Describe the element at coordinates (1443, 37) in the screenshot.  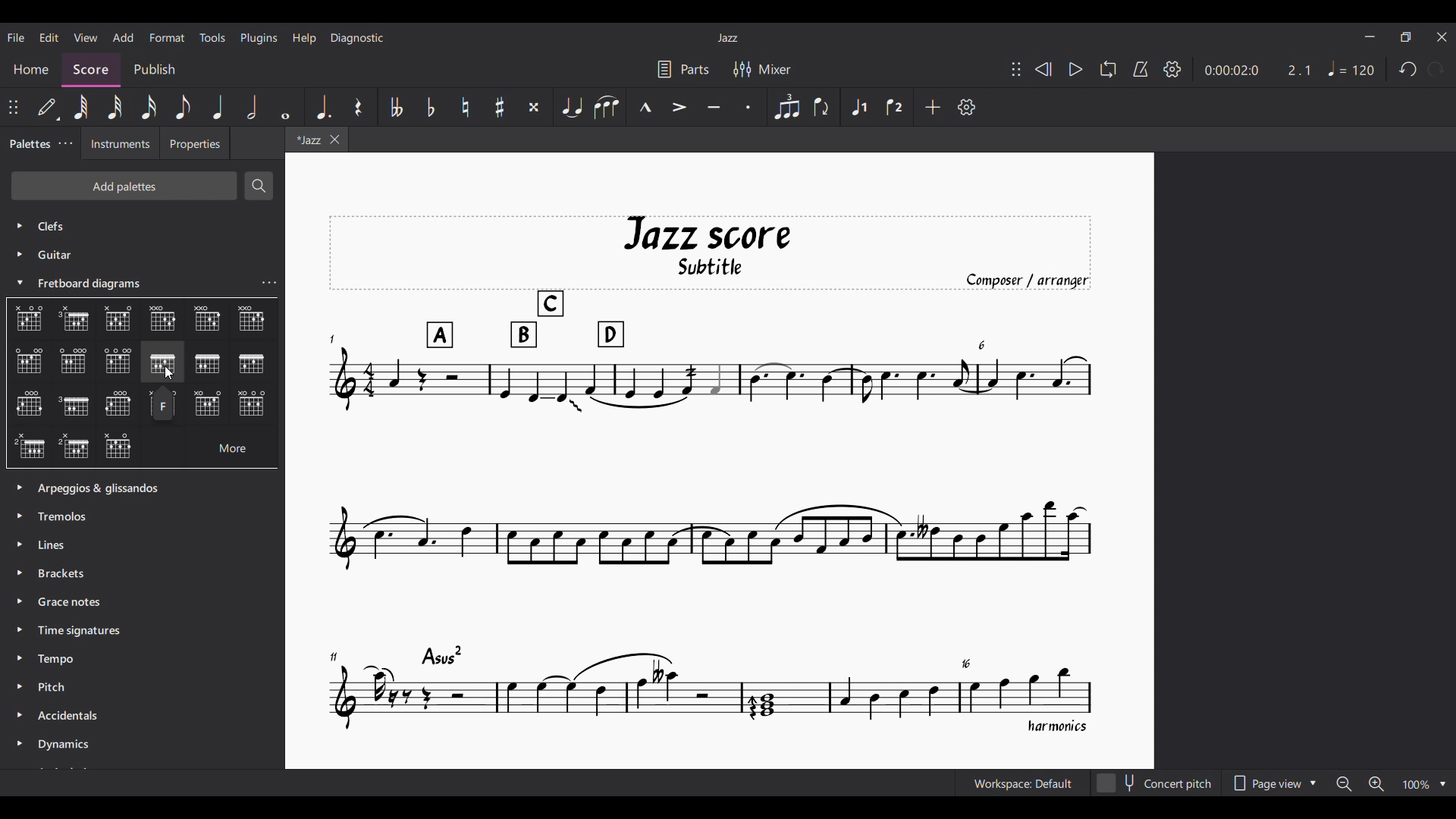
I see `Close` at that location.